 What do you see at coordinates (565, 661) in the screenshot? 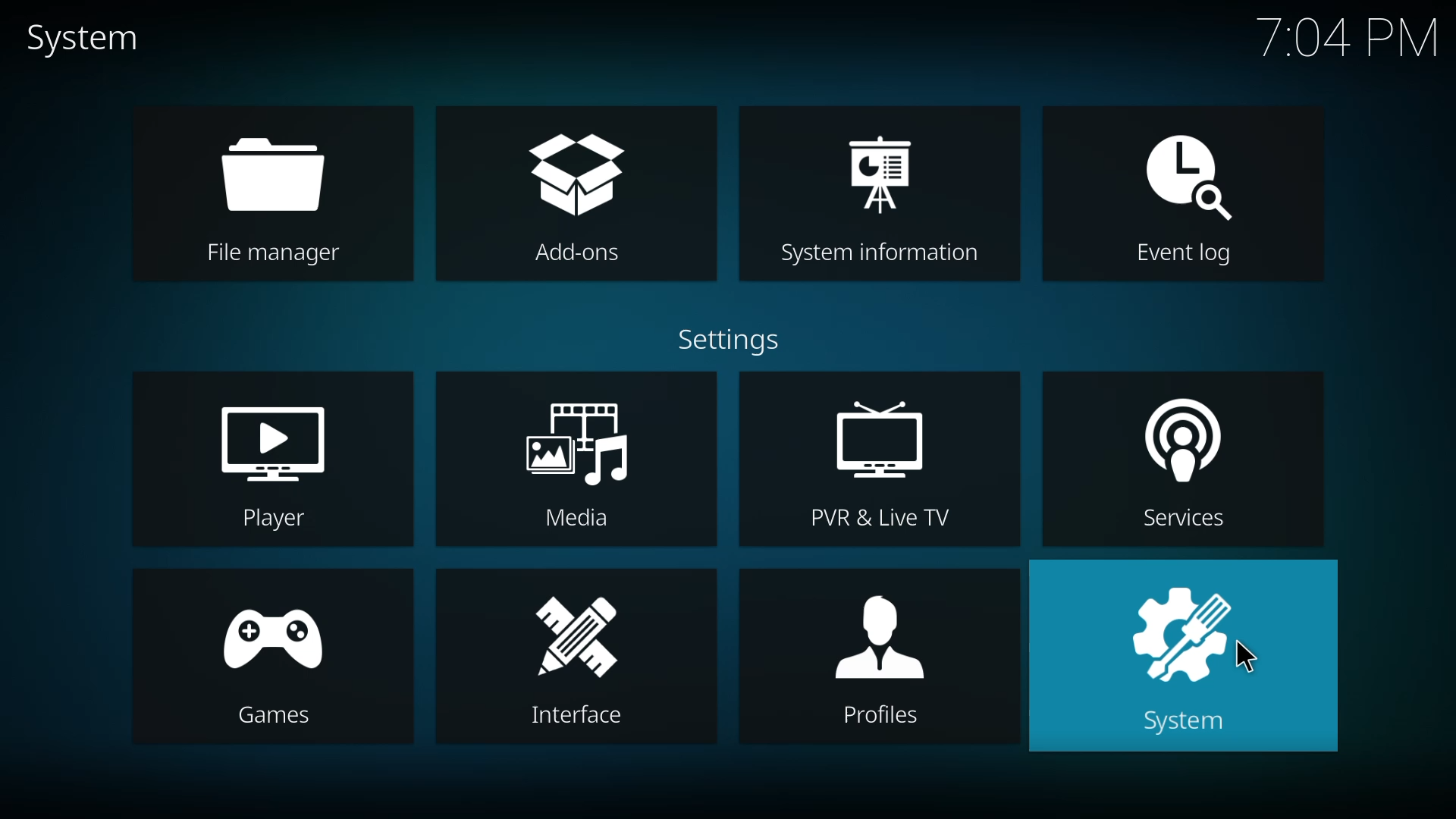
I see `interface` at bounding box center [565, 661].